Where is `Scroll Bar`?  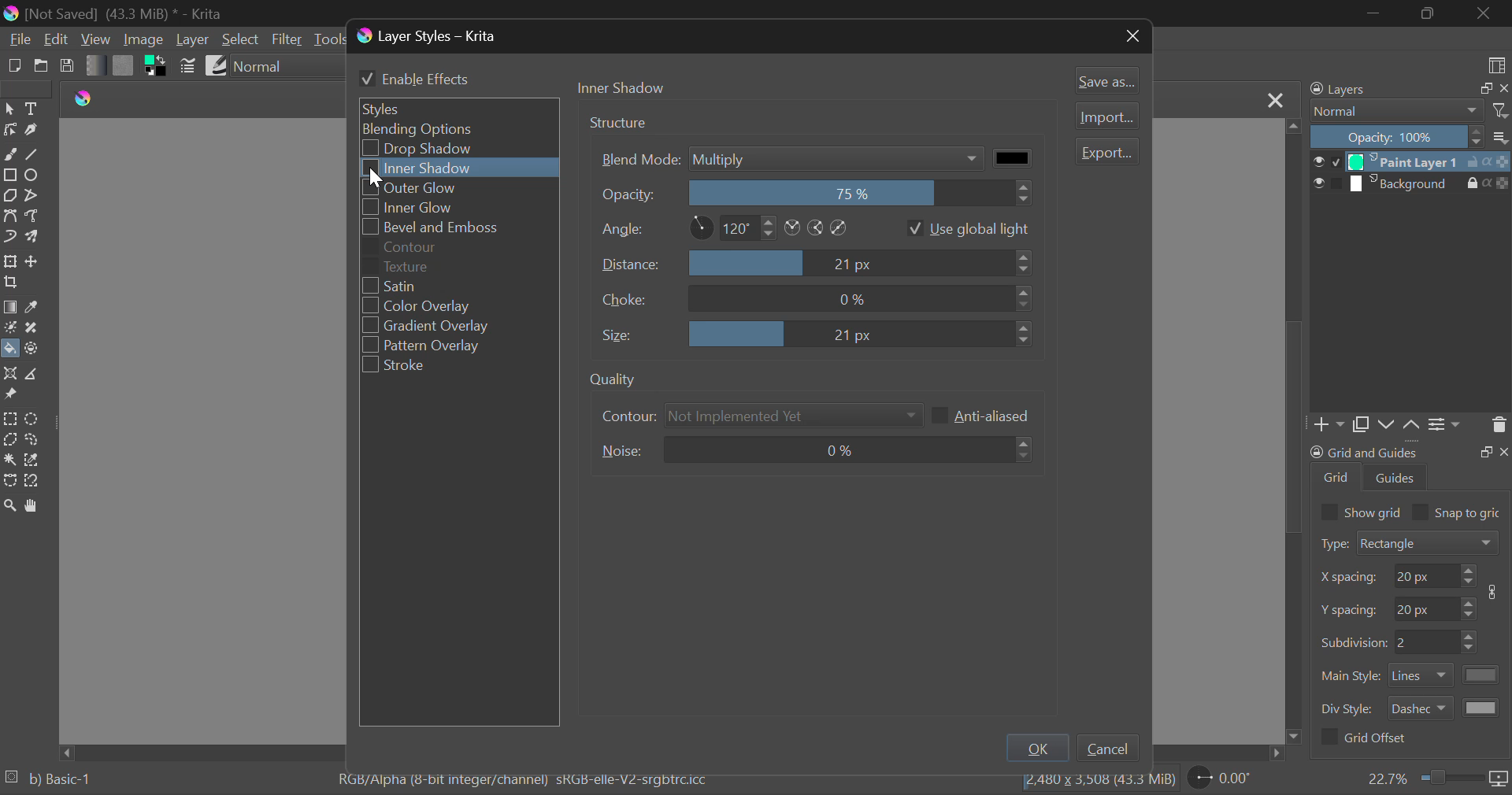
Scroll Bar is located at coordinates (208, 753).